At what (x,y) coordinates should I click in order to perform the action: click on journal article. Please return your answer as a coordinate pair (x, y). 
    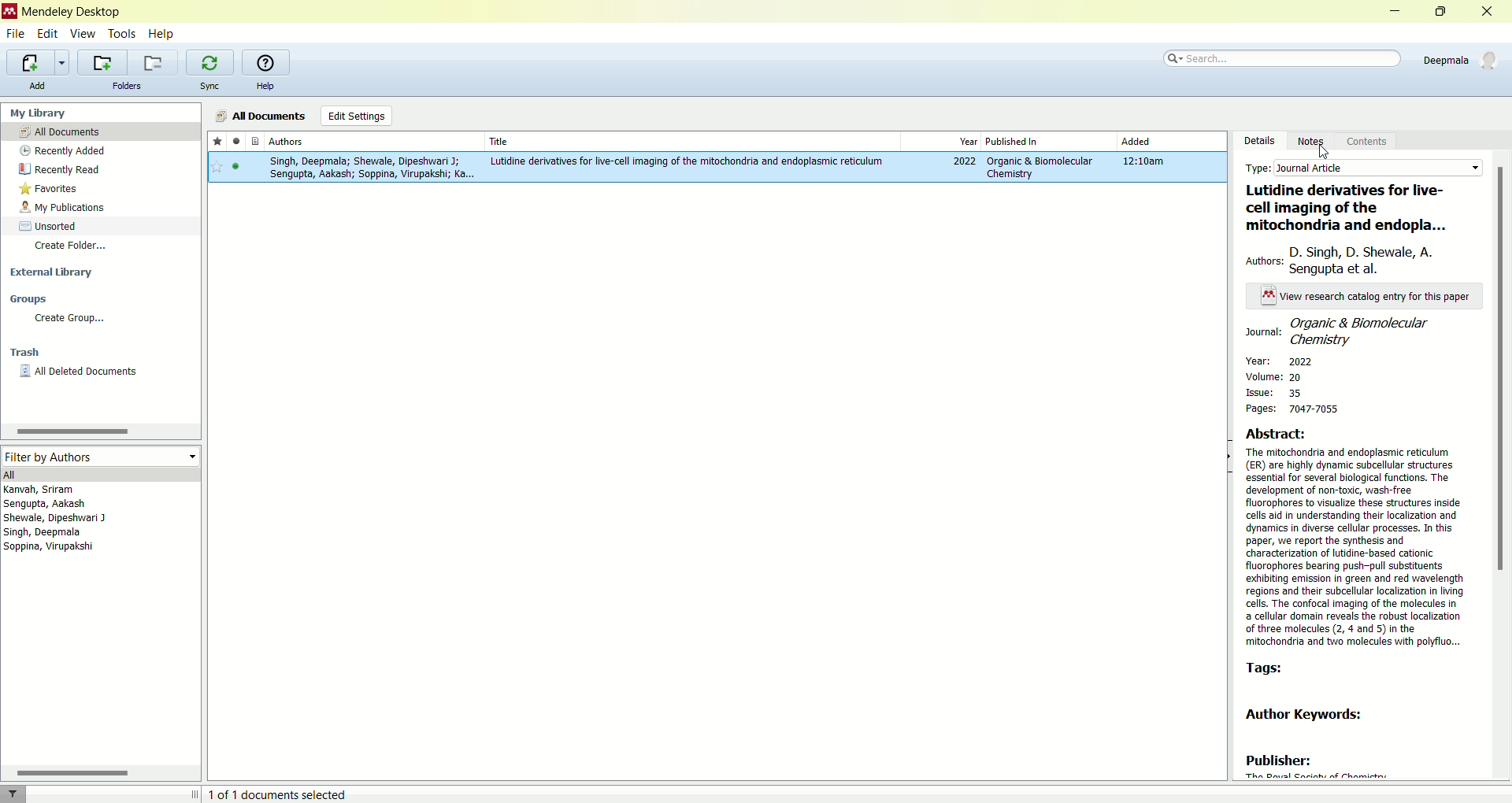
    Looking at the image, I should click on (1378, 168).